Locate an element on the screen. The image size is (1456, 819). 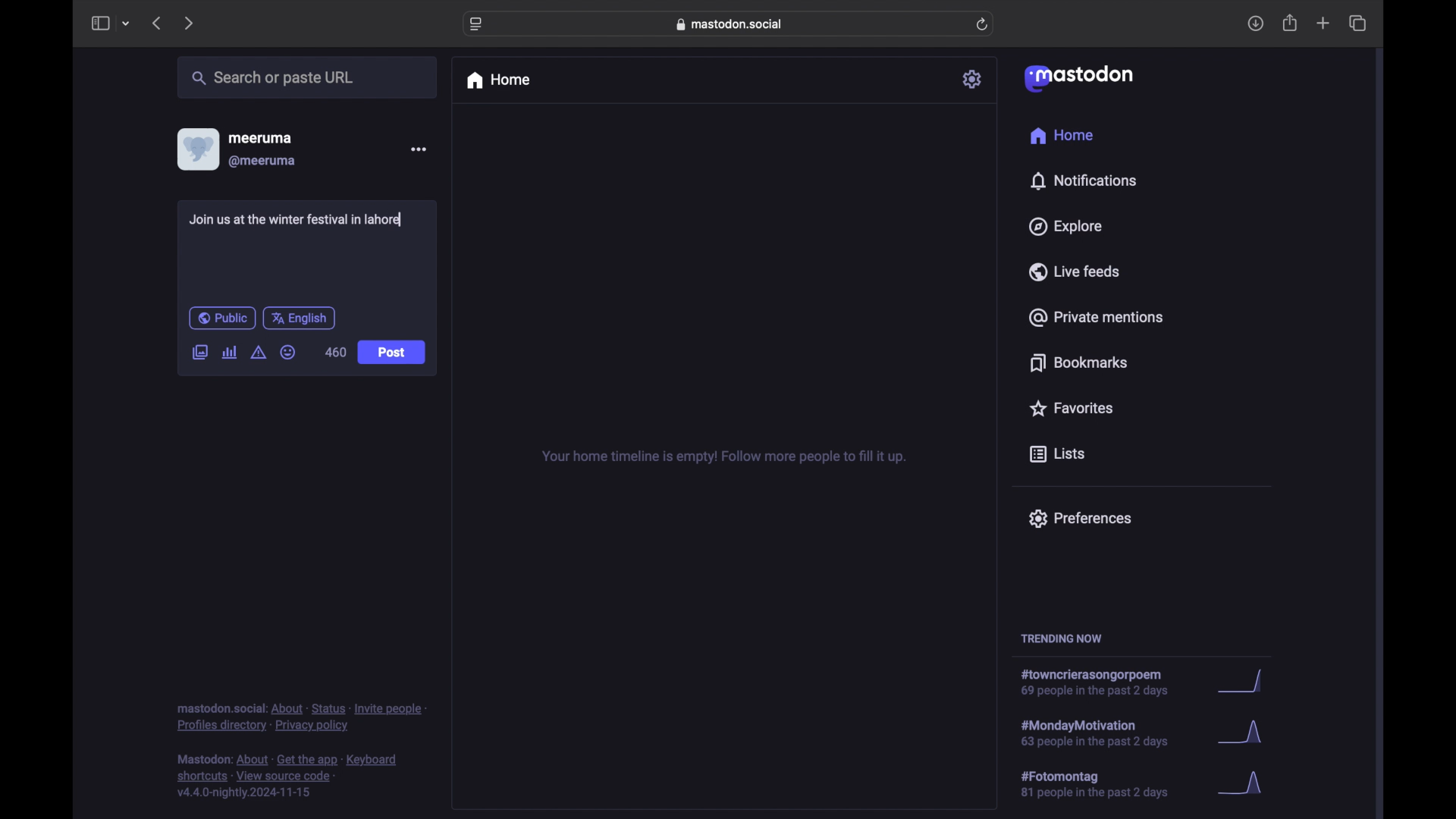
bookmarks is located at coordinates (1078, 362).